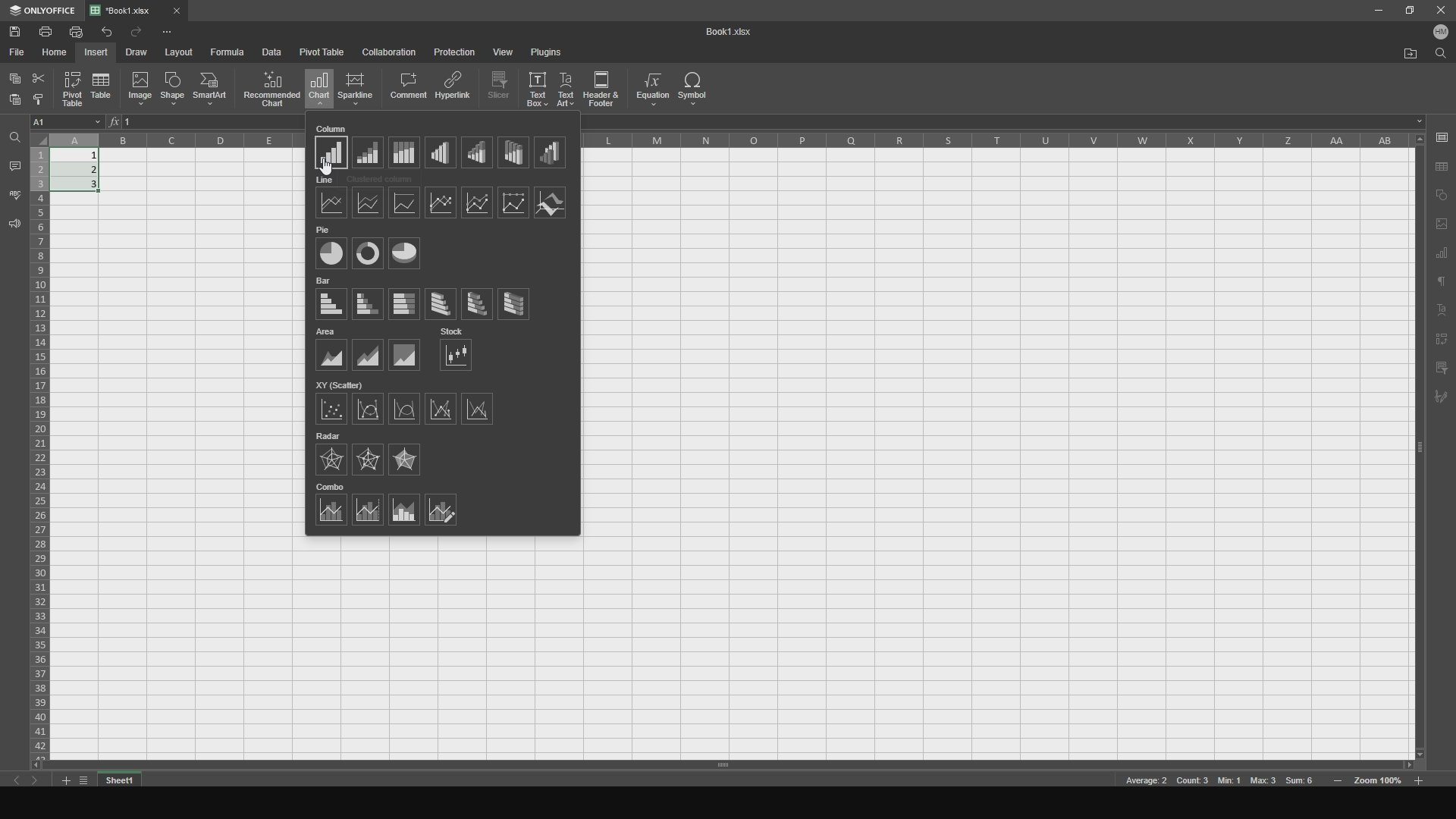 The height and width of the screenshot is (819, 1456). I want to click on maxiize, so click(1407, 12).